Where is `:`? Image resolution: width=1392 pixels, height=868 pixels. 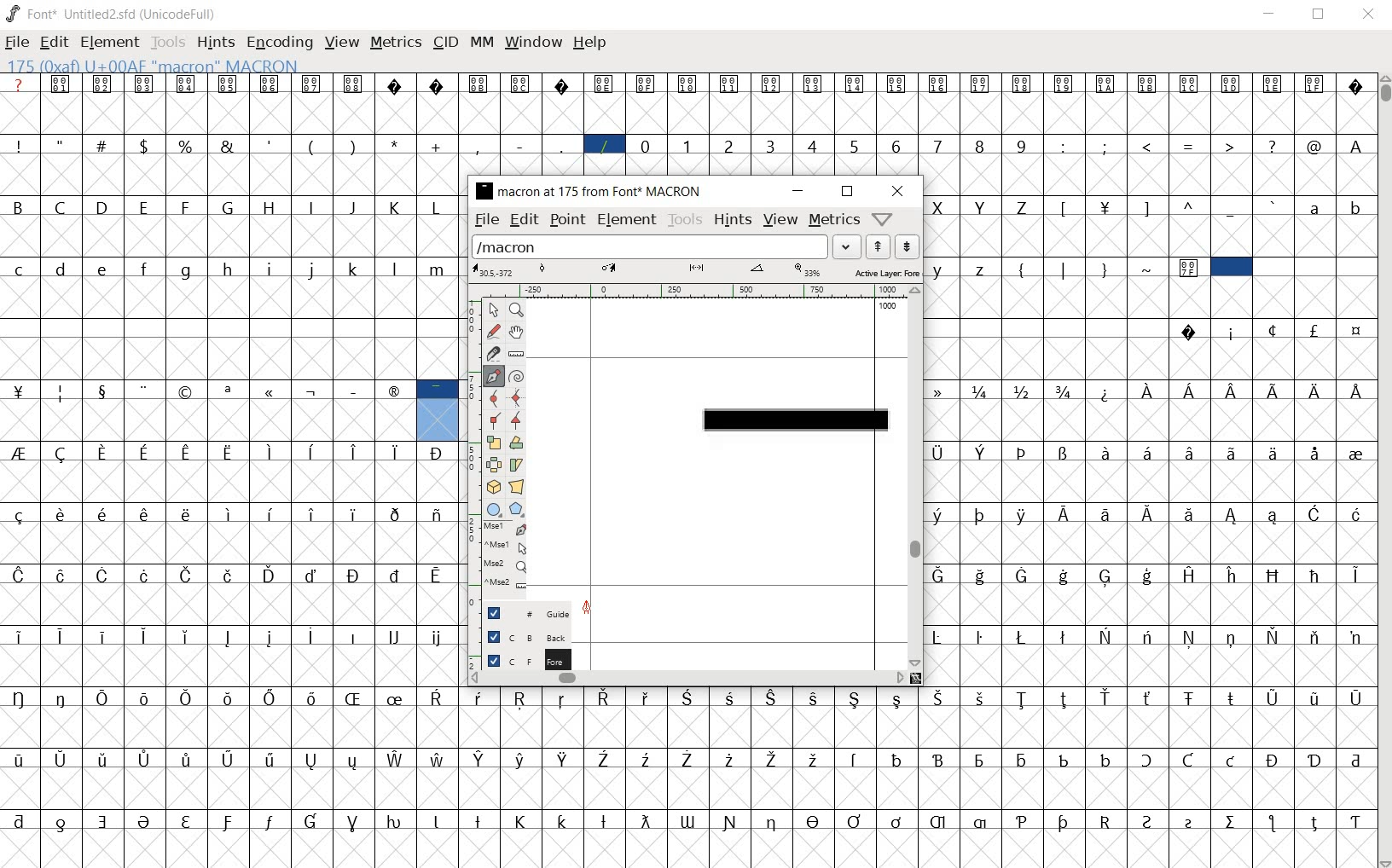 : is located at coordinates (1065, 146).